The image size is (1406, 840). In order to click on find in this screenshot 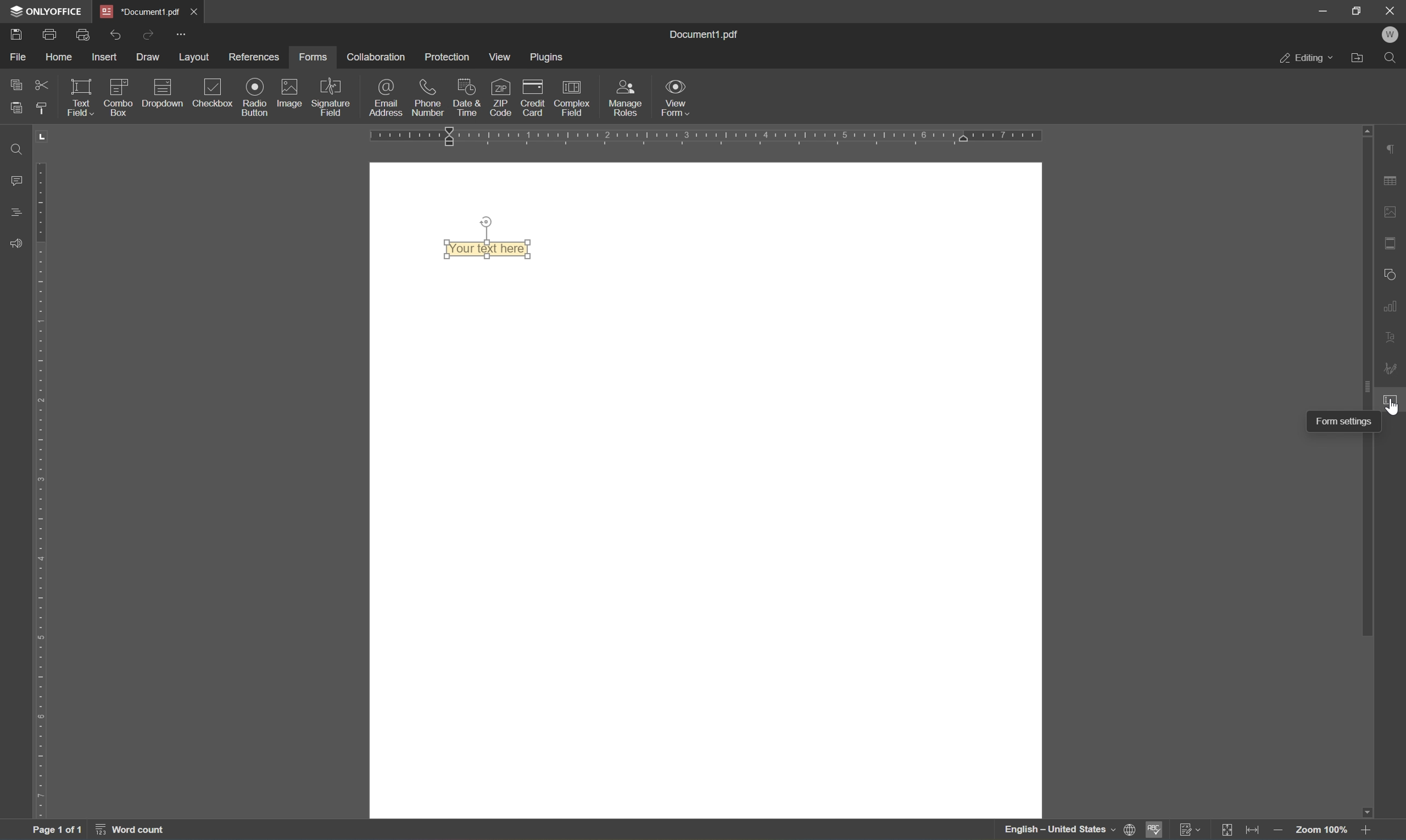, I will do `click(1390, 59)`.